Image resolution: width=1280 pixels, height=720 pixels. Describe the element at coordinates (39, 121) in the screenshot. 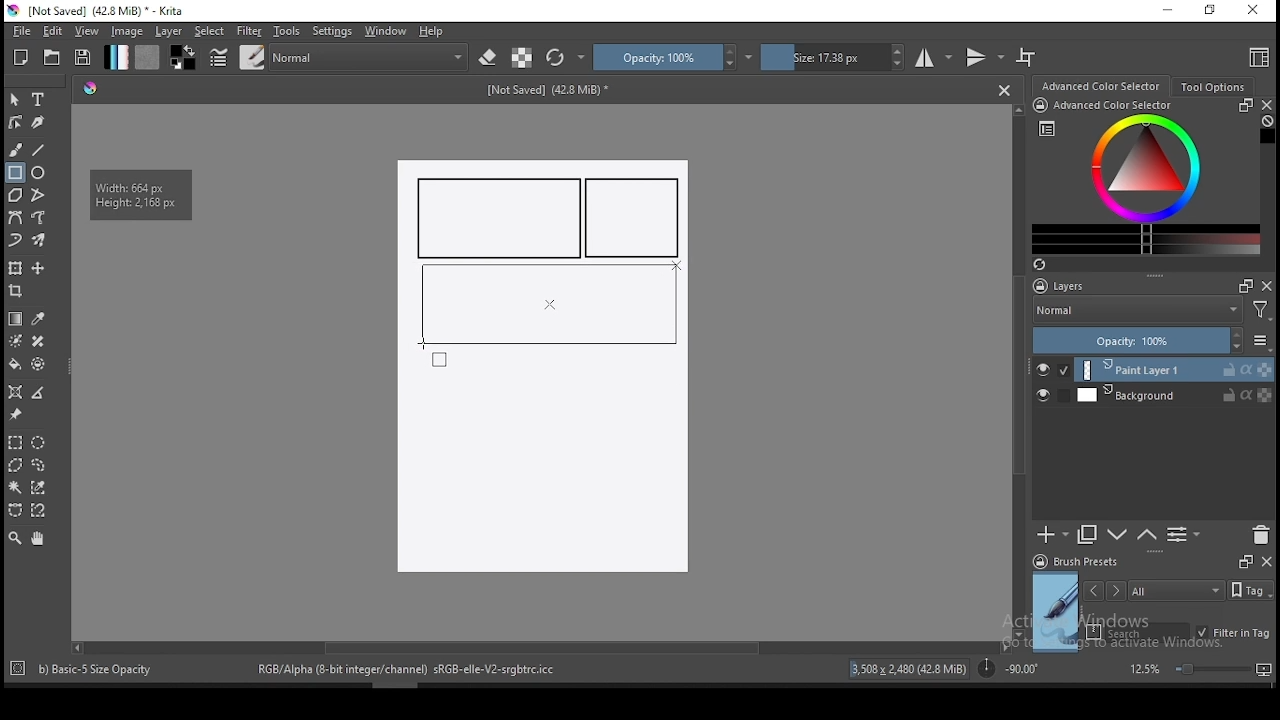

I see `calligraphy` at that location.